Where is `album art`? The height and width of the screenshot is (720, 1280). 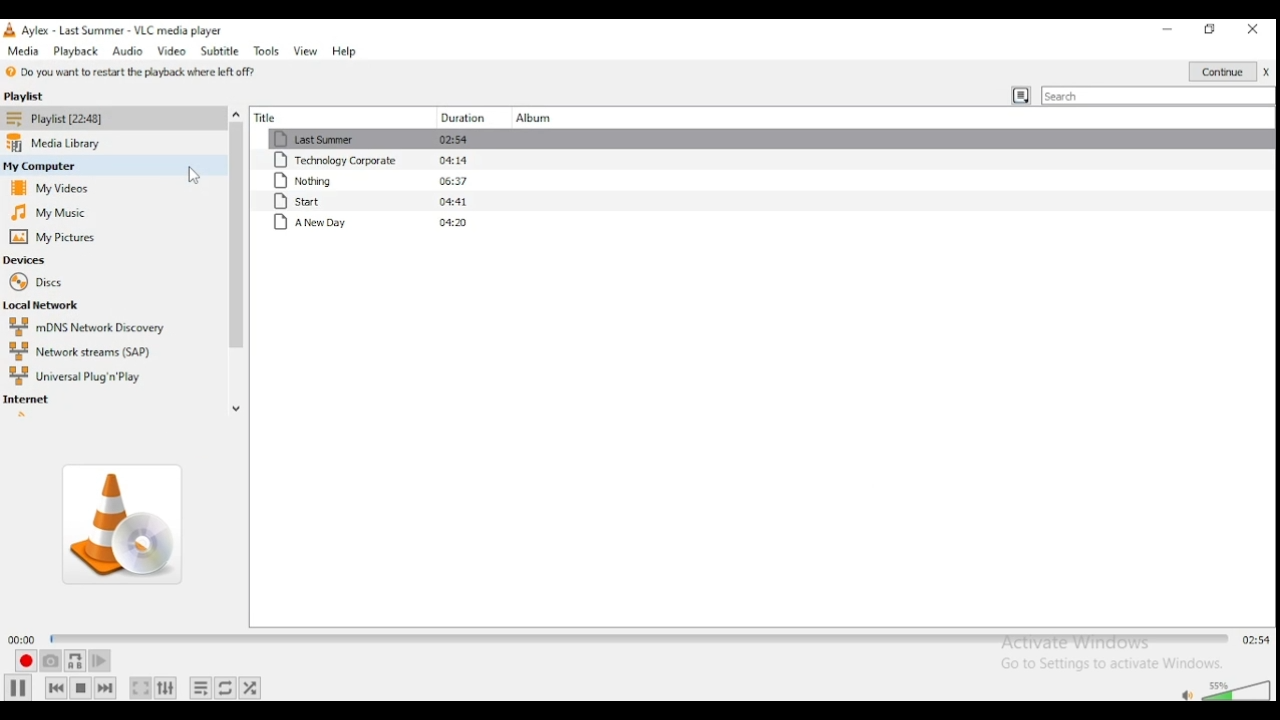 album art is located at coordinates (119, 520).